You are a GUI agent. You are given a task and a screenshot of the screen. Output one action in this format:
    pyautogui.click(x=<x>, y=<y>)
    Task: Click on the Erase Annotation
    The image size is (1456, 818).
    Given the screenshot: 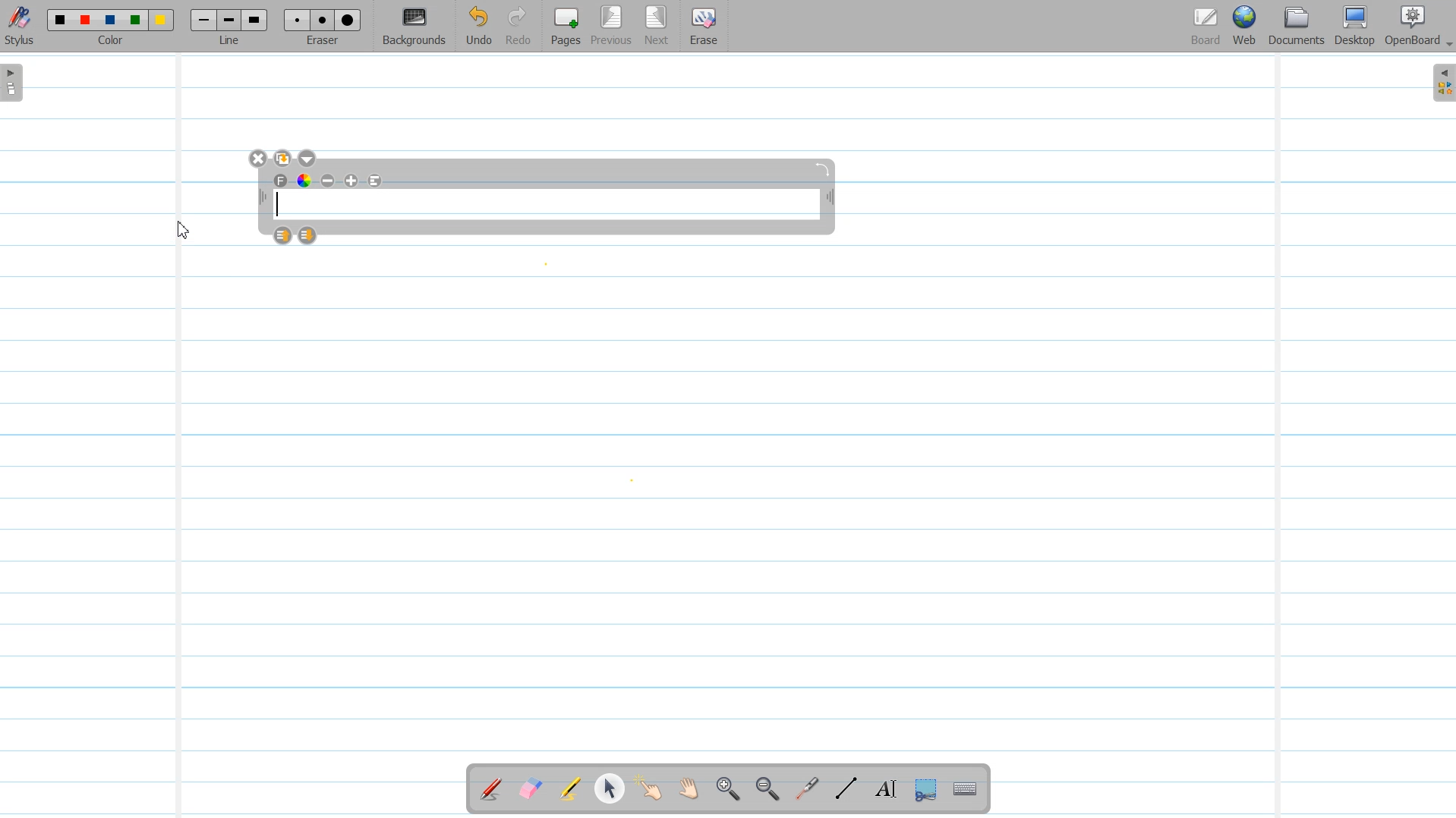 What is the action you would take?
    pyautogui.click(x=532, y=790)
    